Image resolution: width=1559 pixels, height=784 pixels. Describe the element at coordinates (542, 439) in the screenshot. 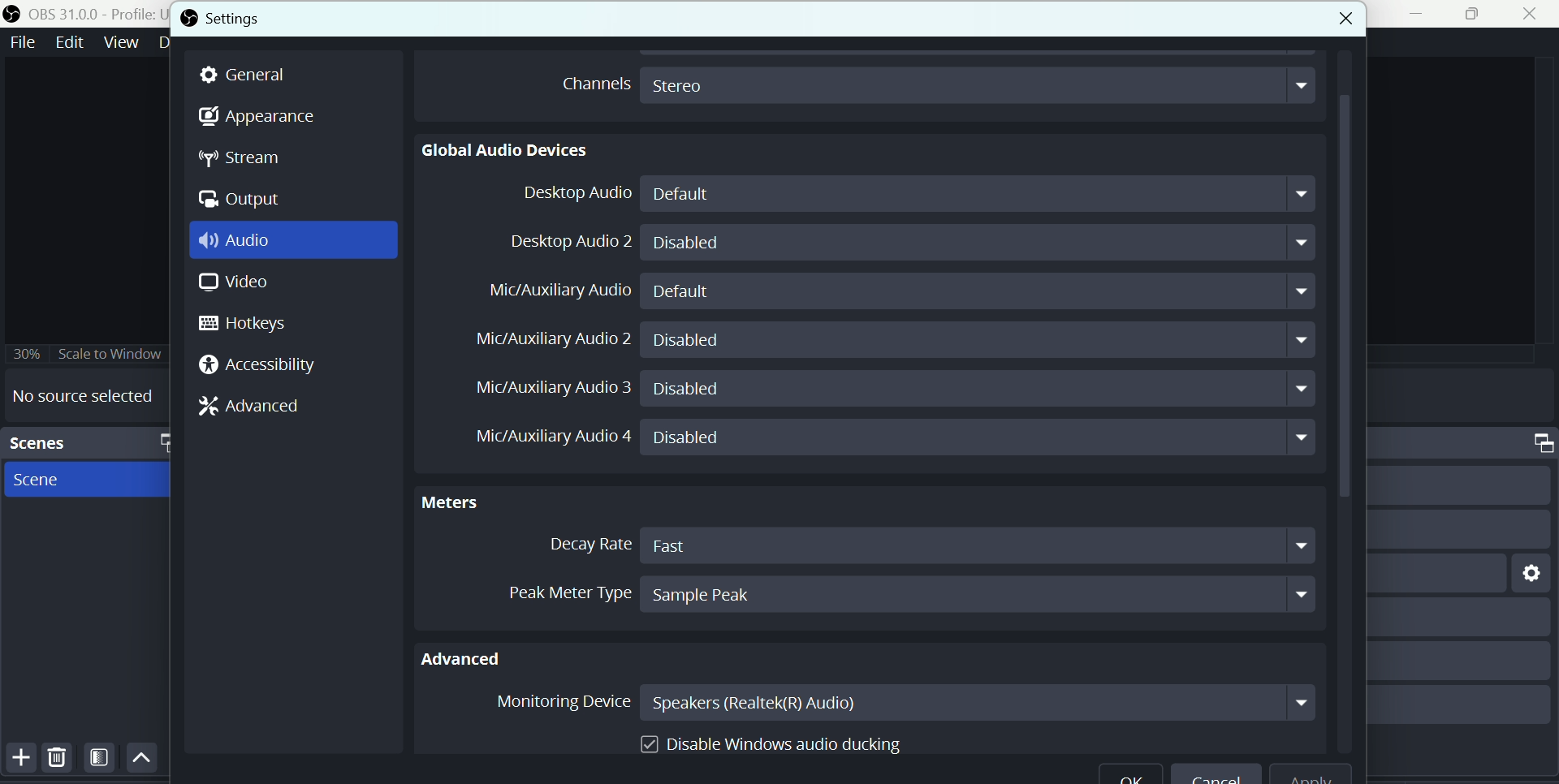

I see `Mic/Auxiliary Audio 4` at that location.